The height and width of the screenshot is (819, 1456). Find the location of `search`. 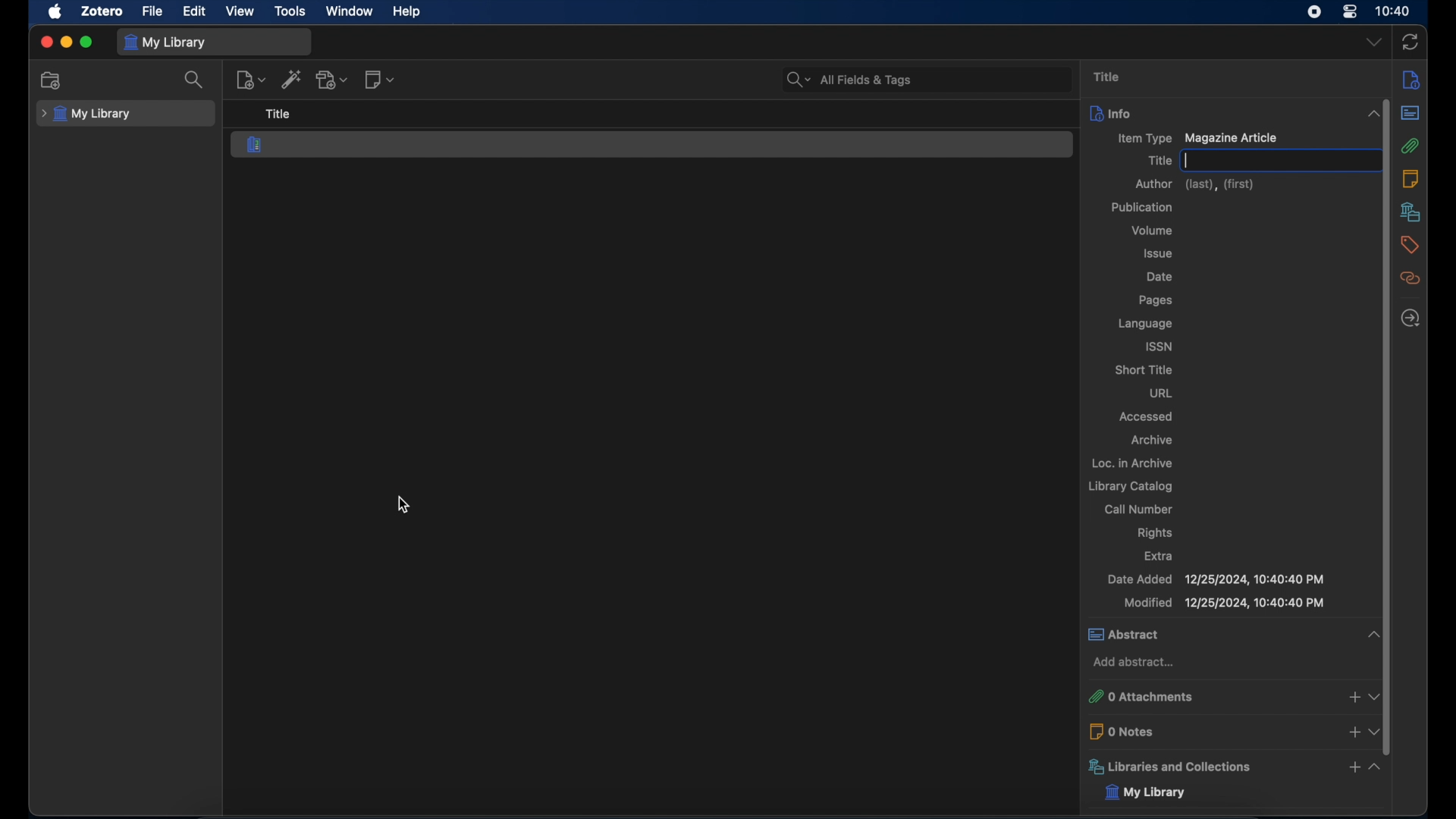

search is located at coordinates (195, 80).